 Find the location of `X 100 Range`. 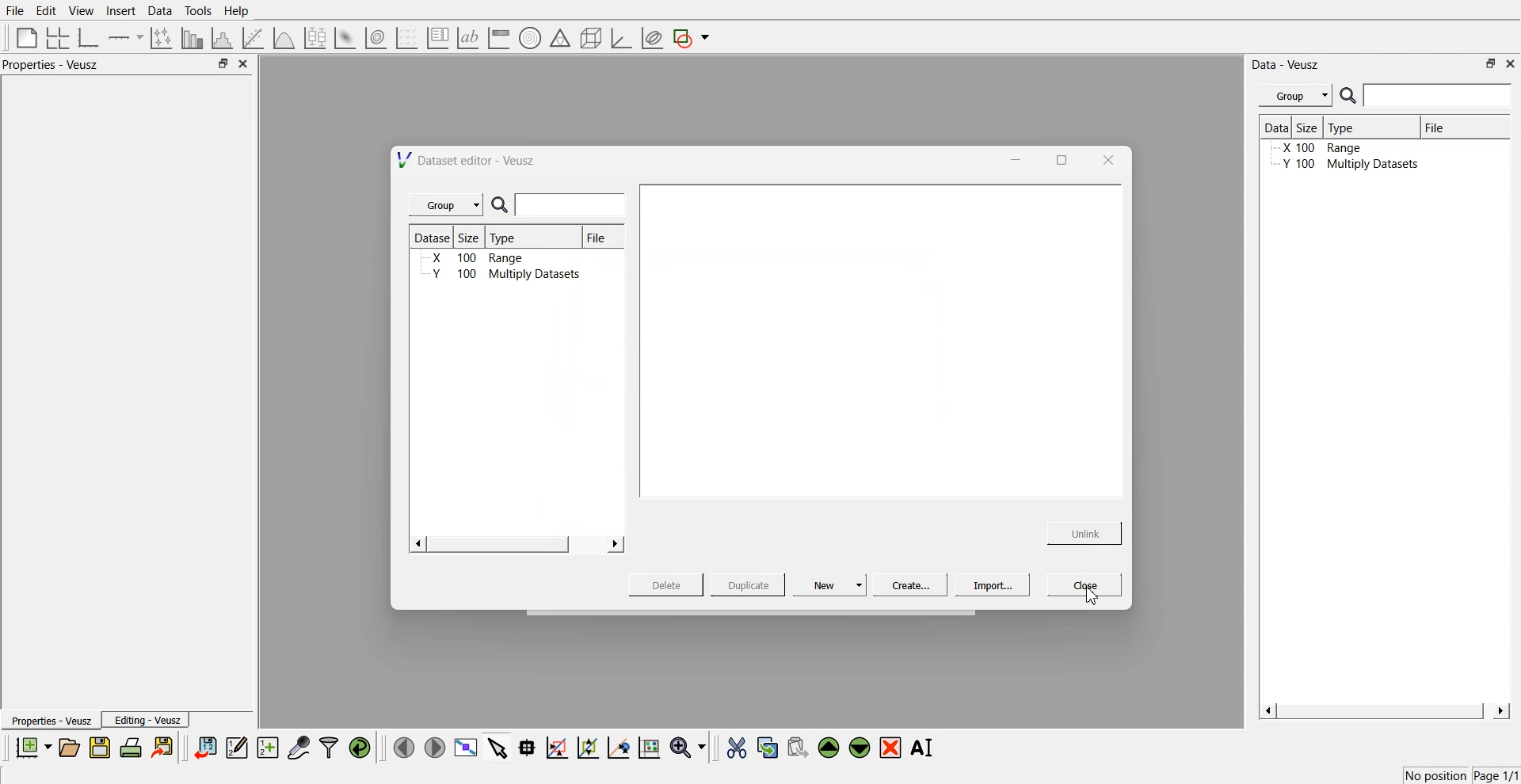

X 100 Range is located at coordinates (472, 258).